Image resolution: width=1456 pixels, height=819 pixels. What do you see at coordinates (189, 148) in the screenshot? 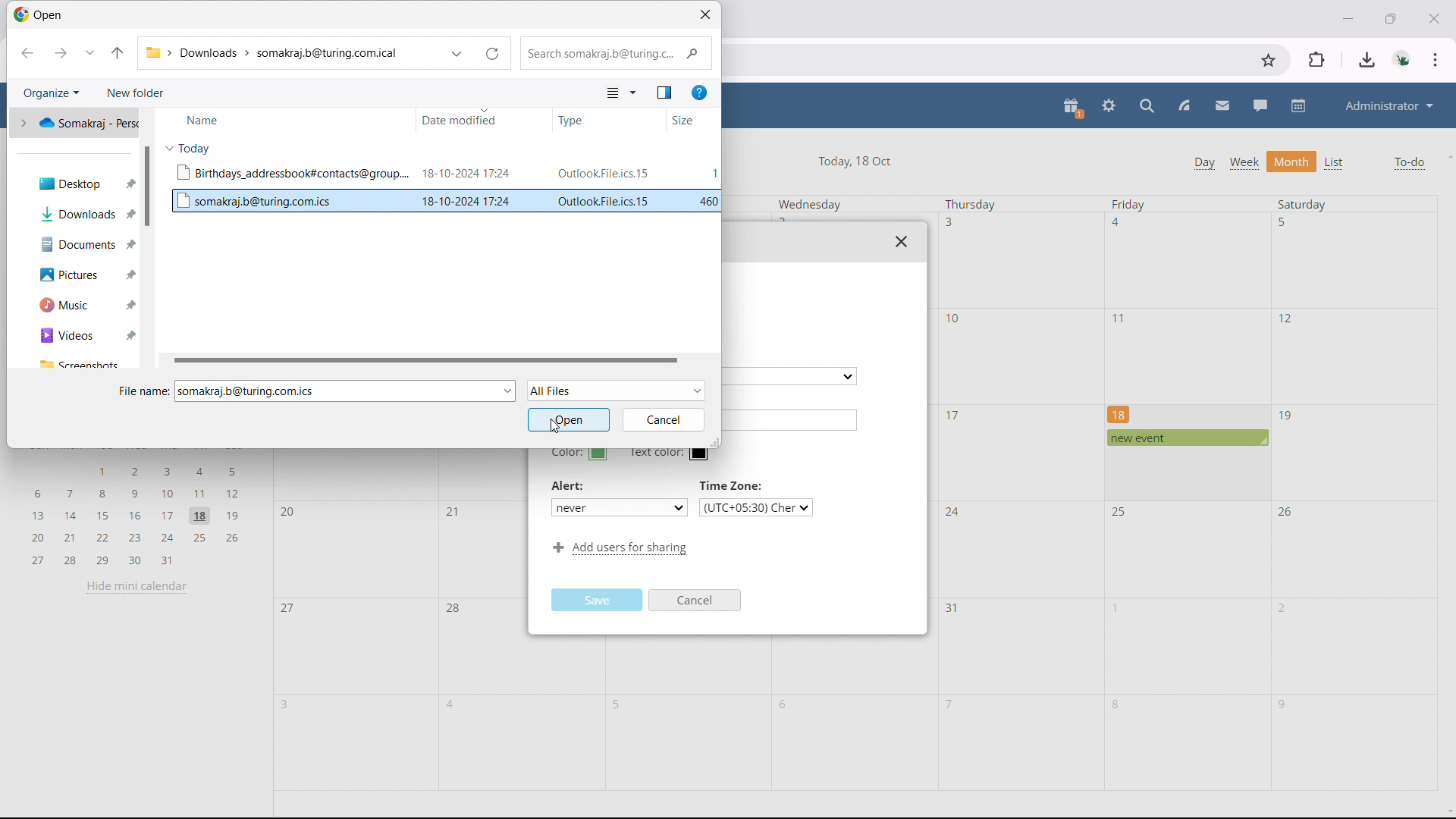
I see `today` at bounding box center [189, 148].